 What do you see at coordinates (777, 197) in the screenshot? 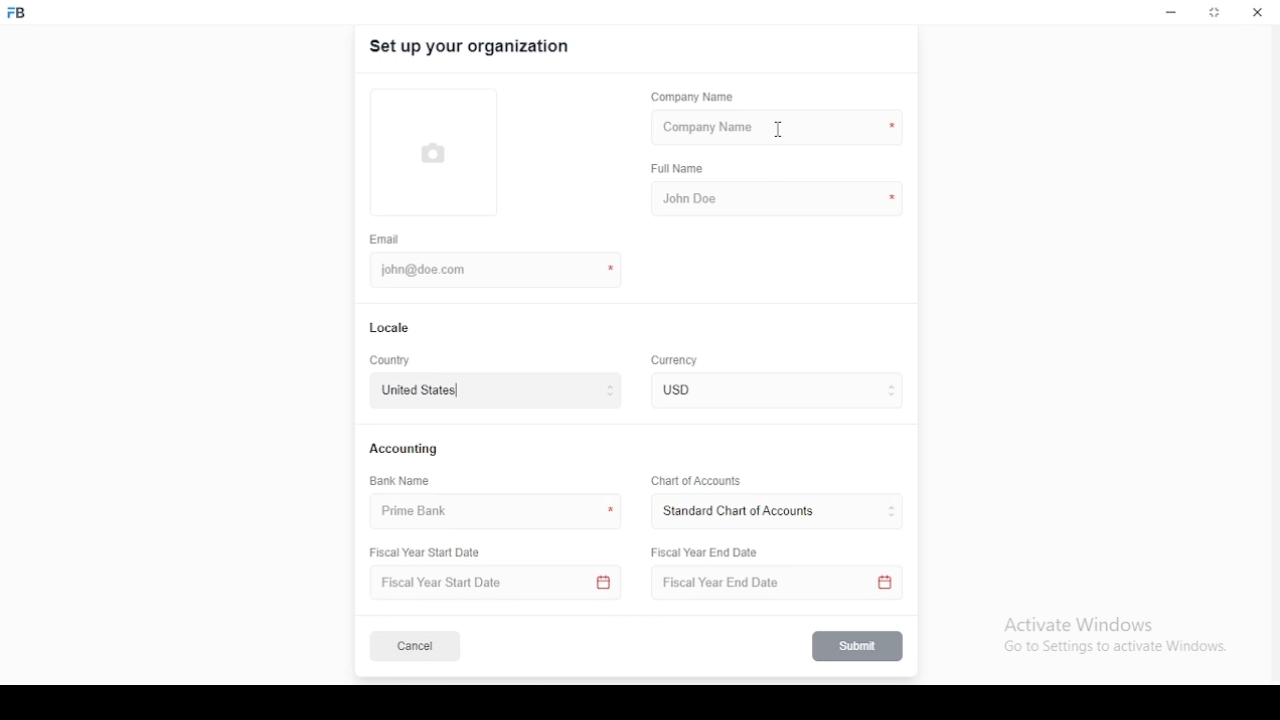
I see `john doe` at bounding box center [777, 197].